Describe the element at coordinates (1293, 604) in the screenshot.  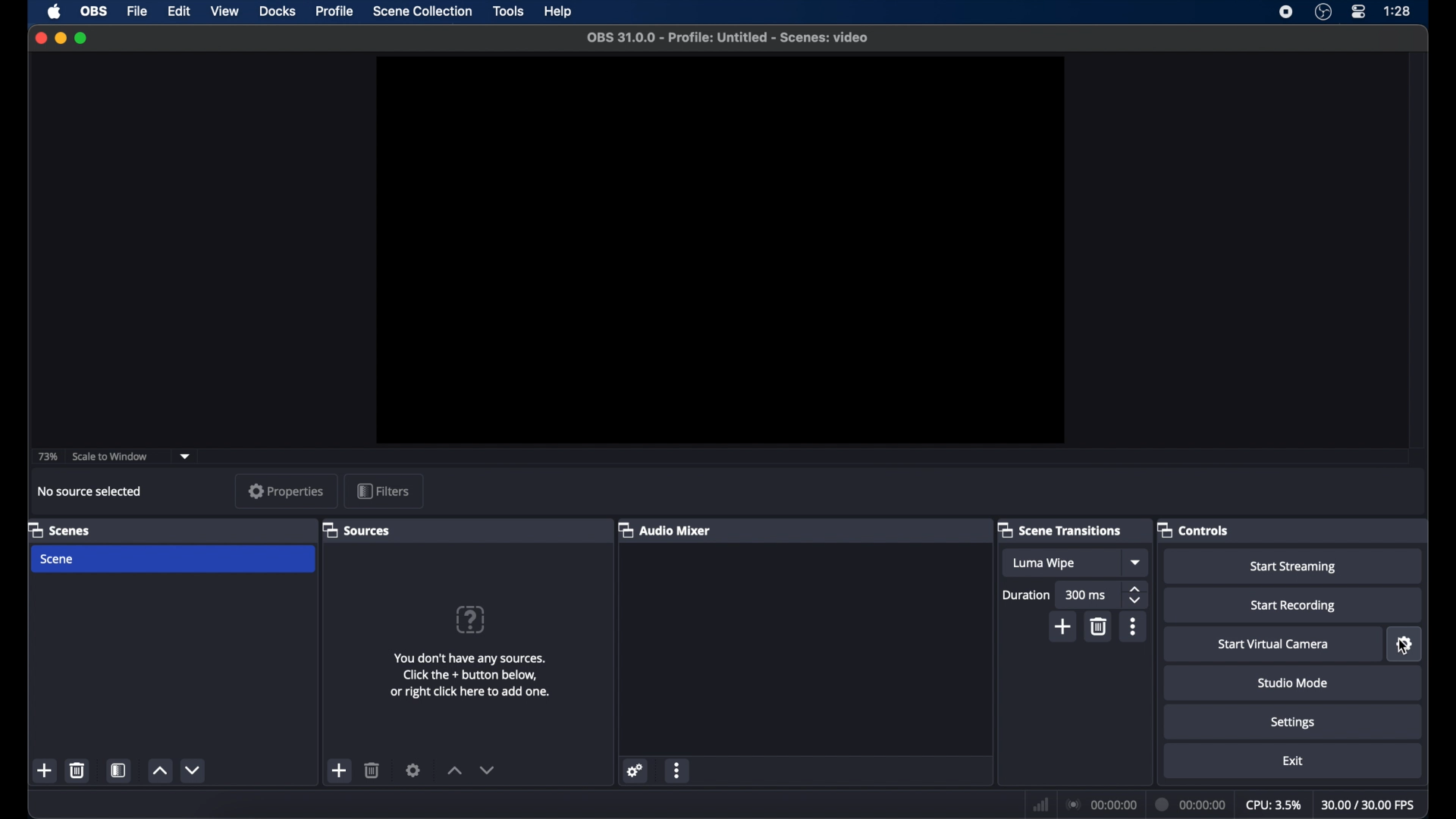
I see `start recording` at that location.